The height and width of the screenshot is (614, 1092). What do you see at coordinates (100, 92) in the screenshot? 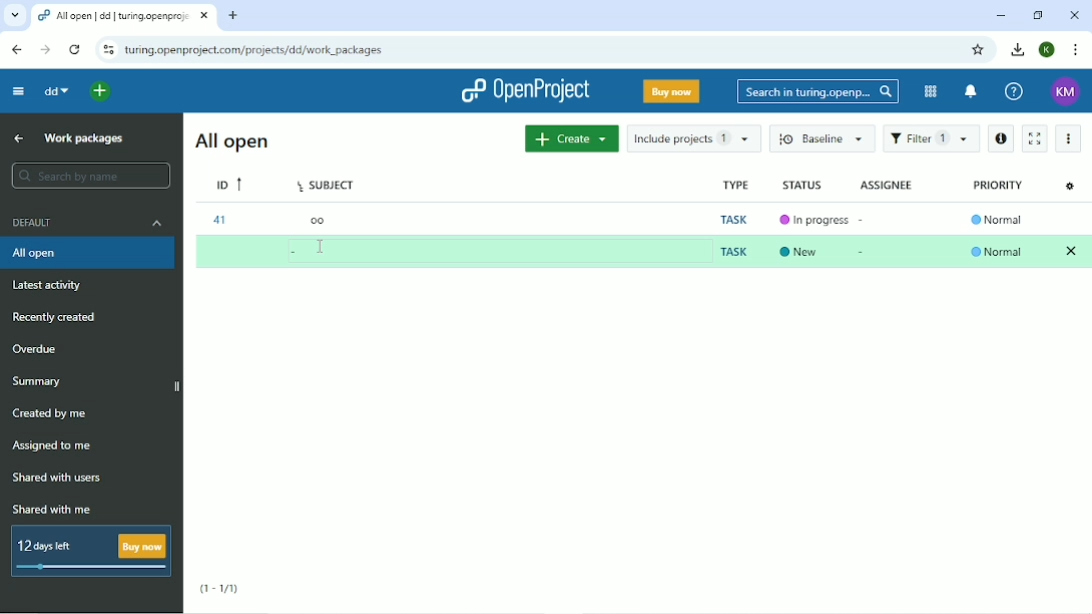
I see `Open quick add menu` at bounding box center [100, 92].